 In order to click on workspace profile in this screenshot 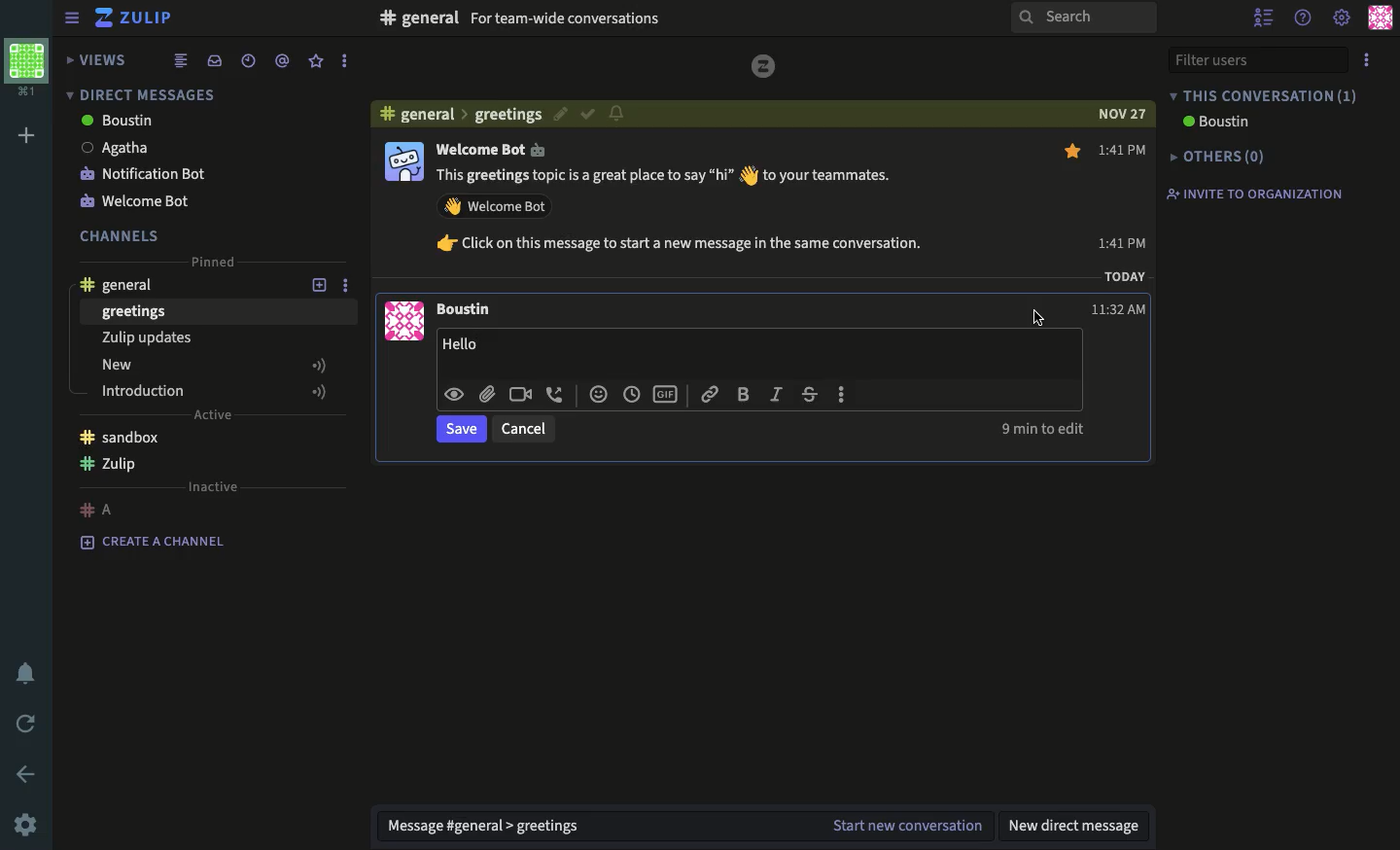, I will do `click(28, 69)`.